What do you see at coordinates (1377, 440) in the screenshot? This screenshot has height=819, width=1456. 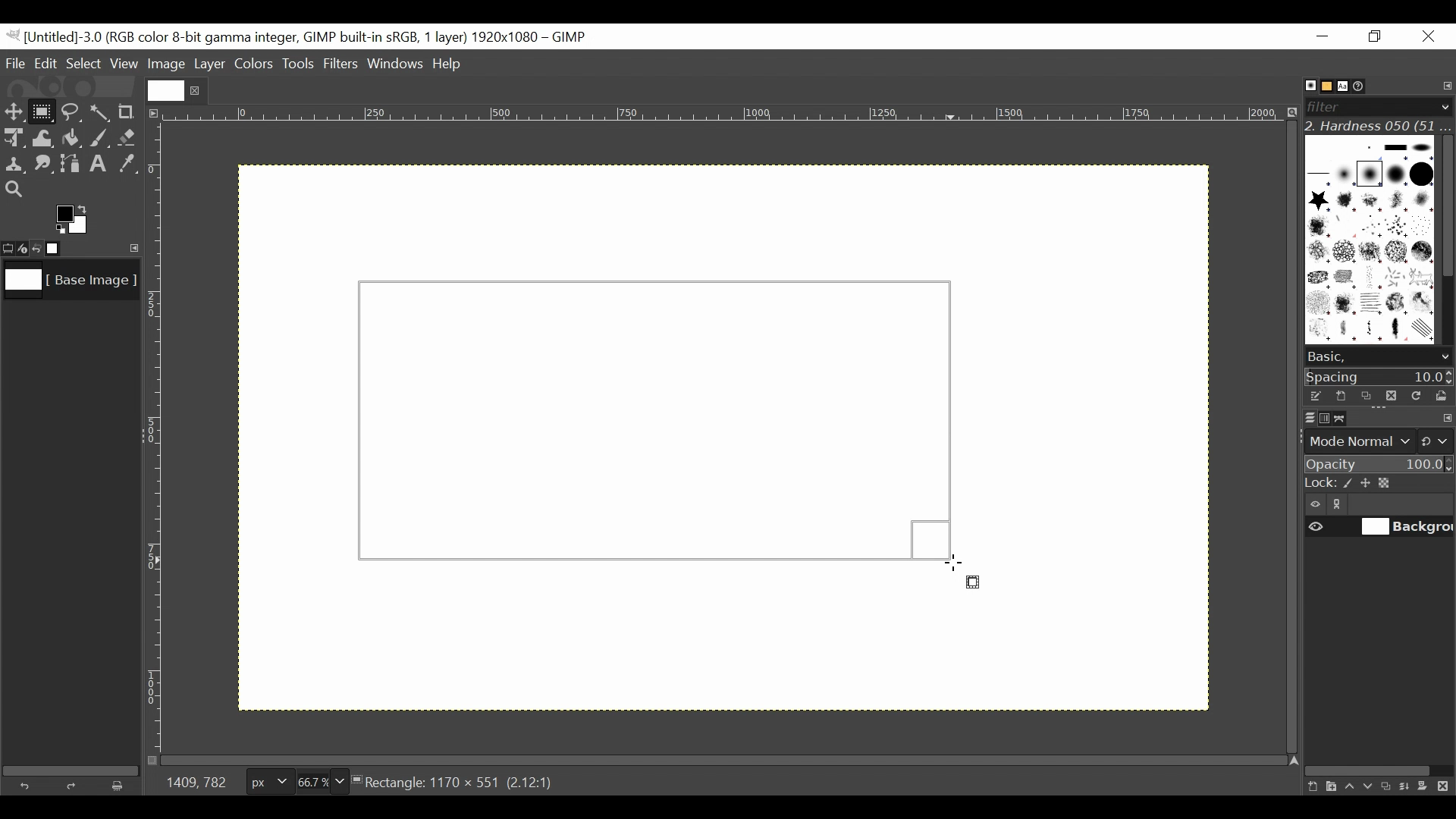 I see `mode normal` at bounding box center [1377, 440].